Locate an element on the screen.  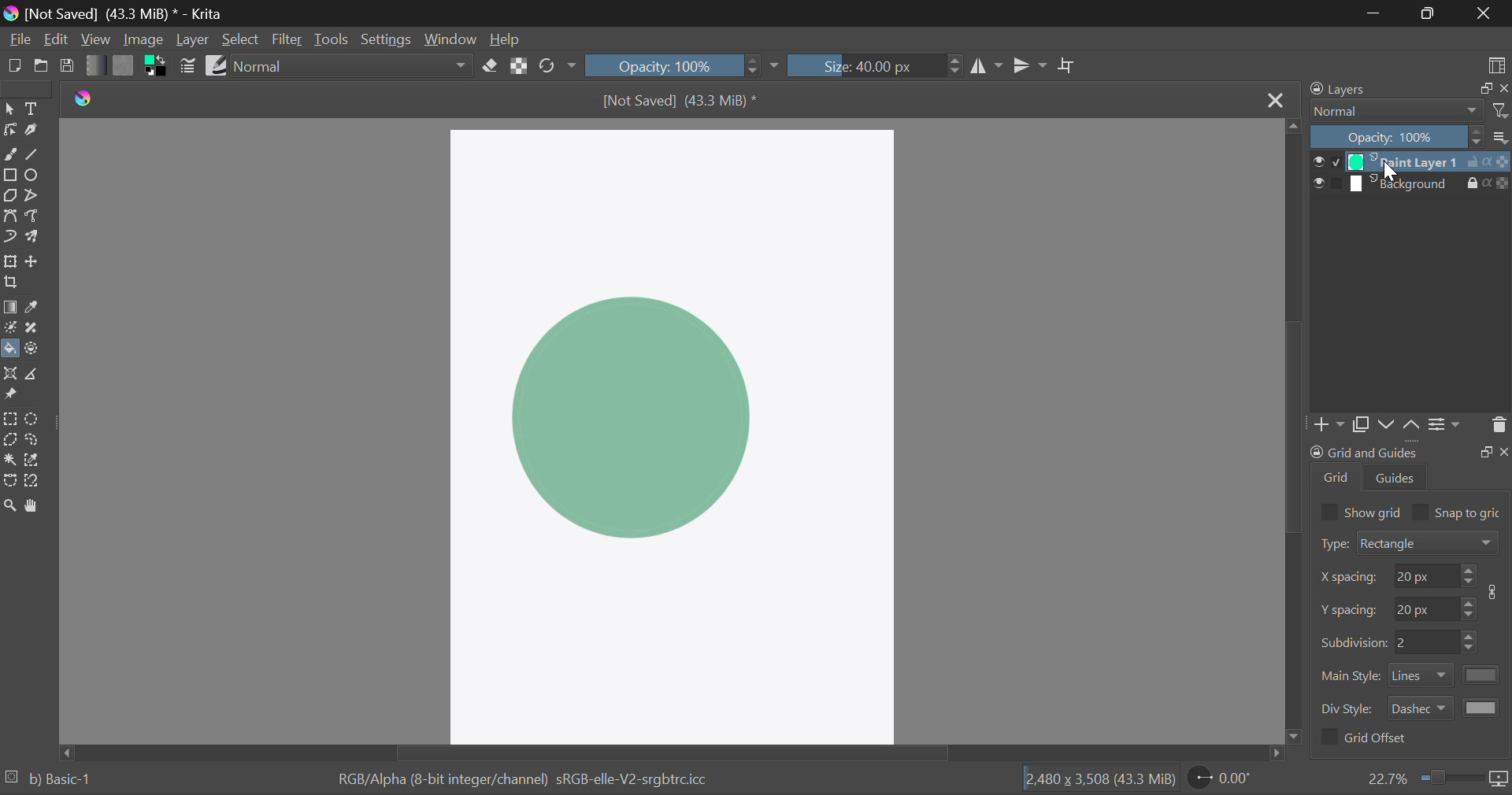
Ellipses Selected  is located at coordinates (31, 175).